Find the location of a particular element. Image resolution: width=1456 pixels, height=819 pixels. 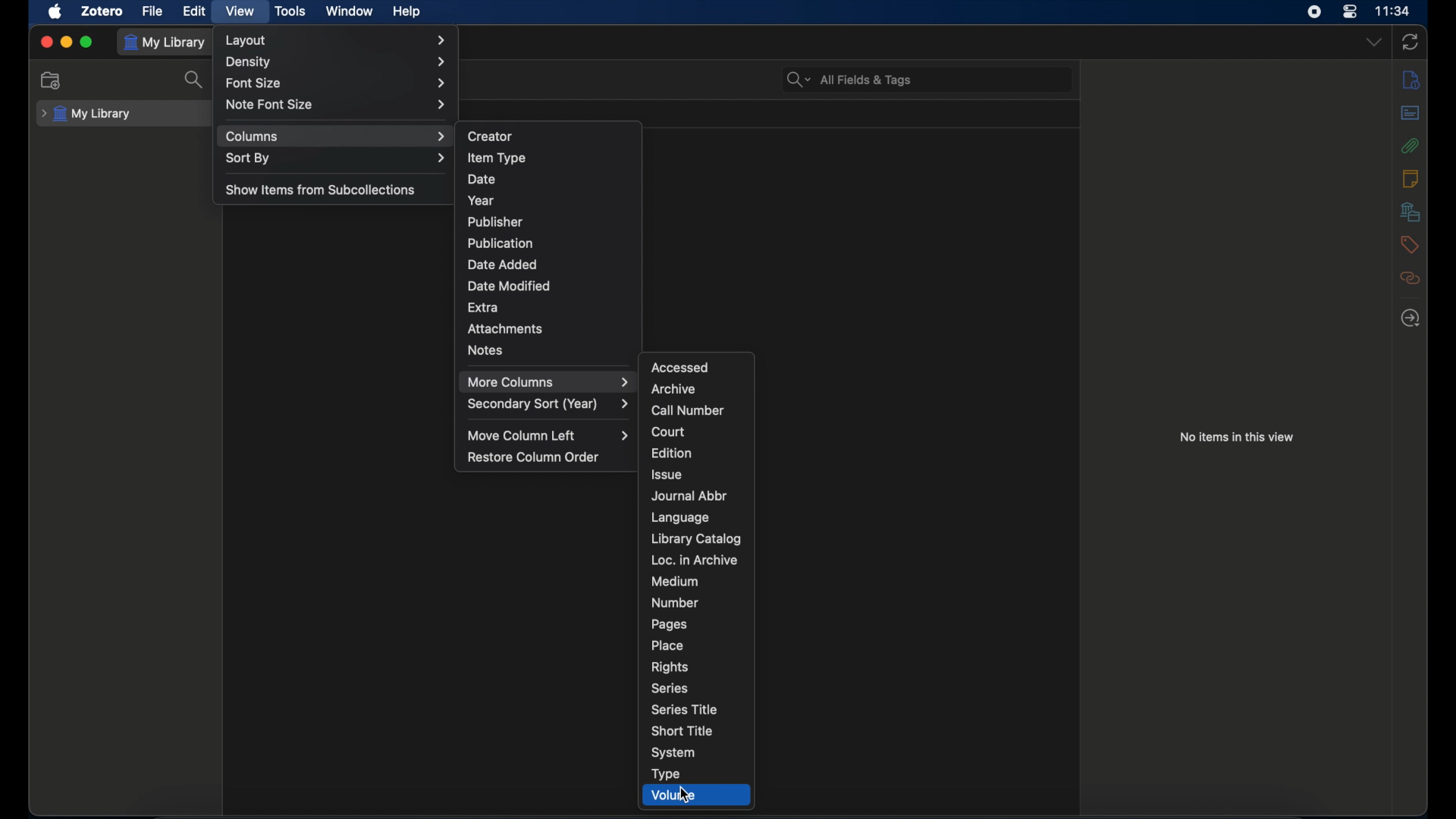

date modified is located at coordinates (510, 286).